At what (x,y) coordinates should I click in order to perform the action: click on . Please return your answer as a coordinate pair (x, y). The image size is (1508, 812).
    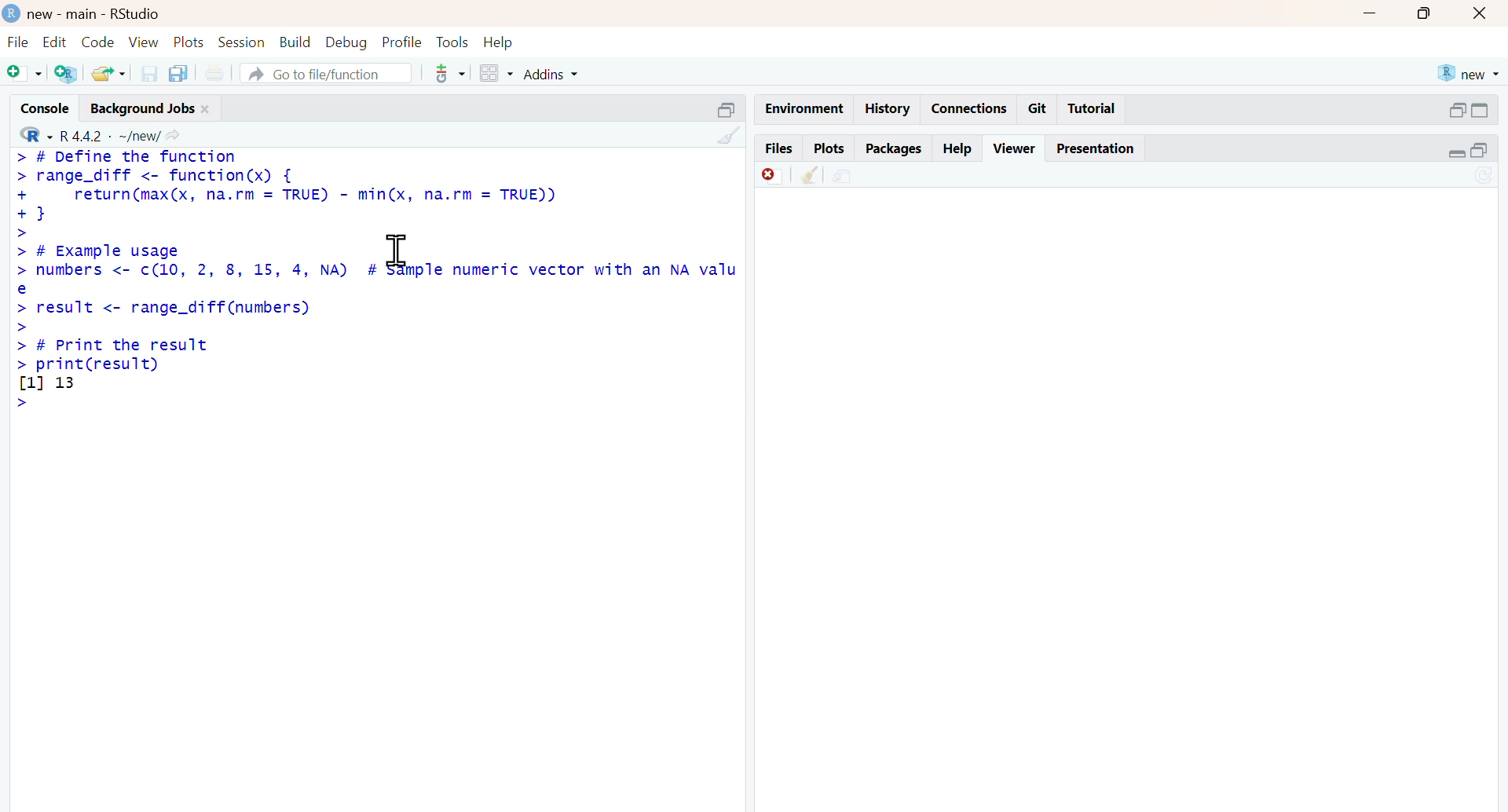
    Looking at the image, I should click on (727, 110).